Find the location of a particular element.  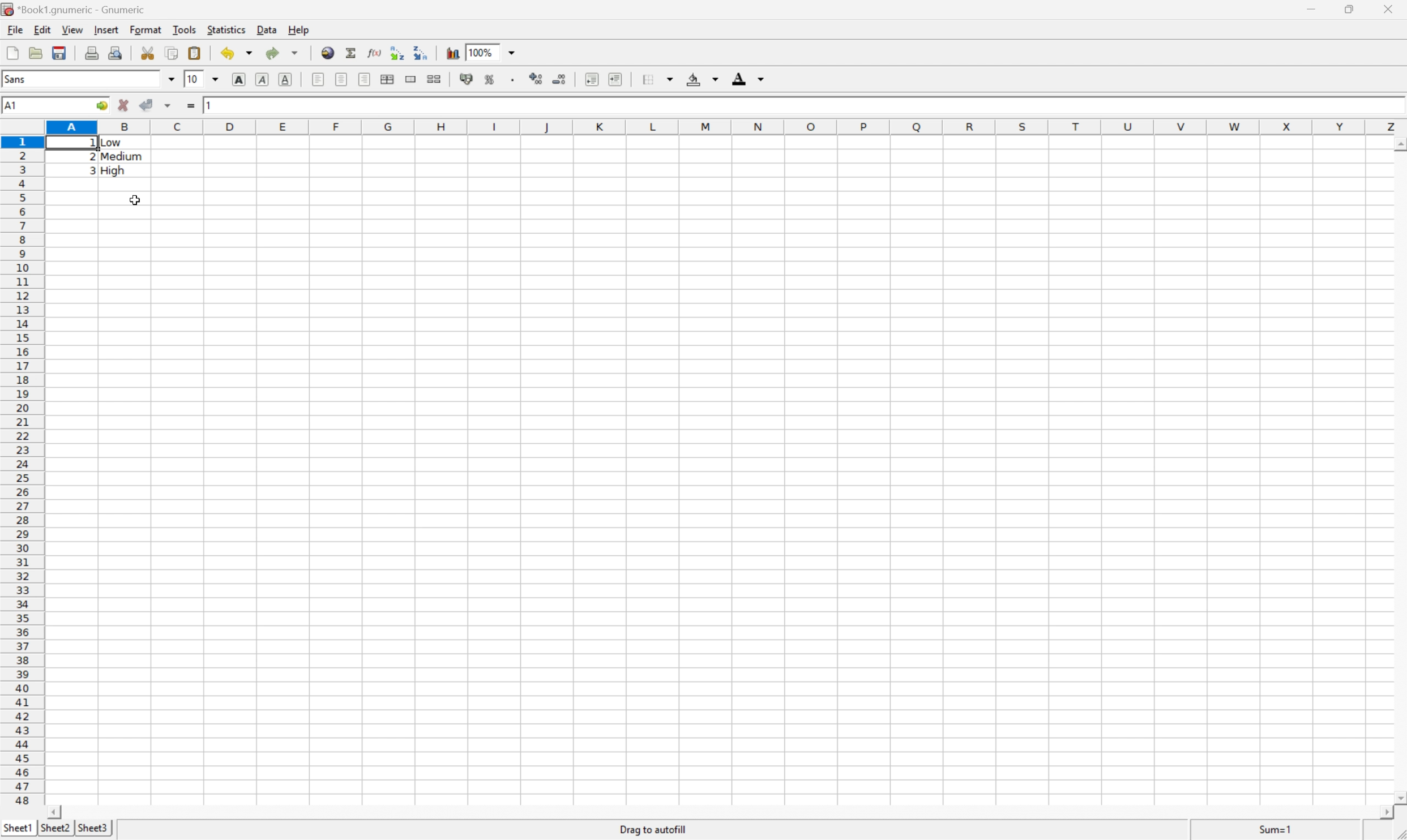

Cursor is located at coordinates (136, 199).